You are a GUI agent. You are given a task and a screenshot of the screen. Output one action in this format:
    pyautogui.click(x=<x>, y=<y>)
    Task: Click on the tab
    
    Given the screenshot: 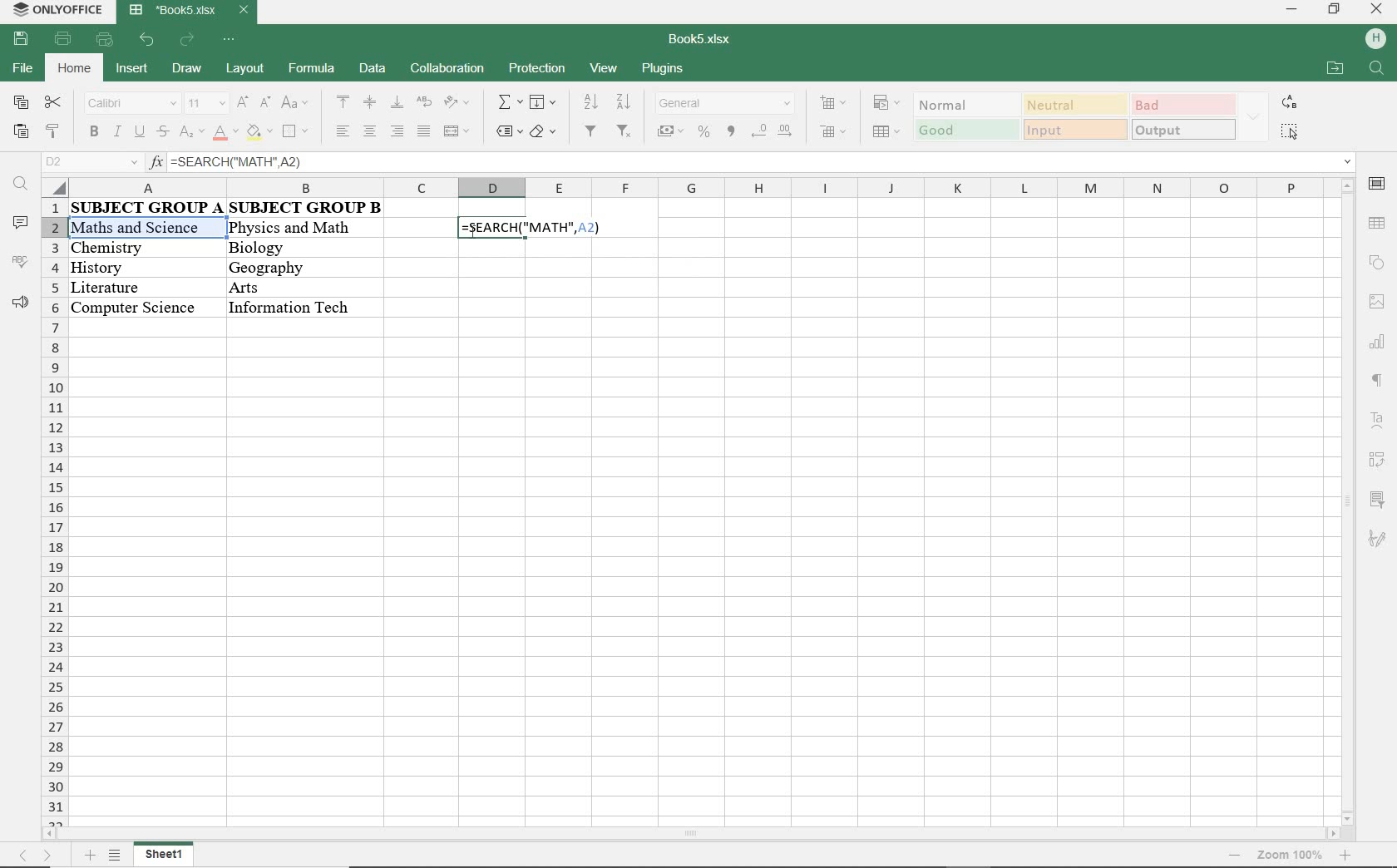 What is the action you would take?
    pyautogui.click(x=1288, y=855)
    